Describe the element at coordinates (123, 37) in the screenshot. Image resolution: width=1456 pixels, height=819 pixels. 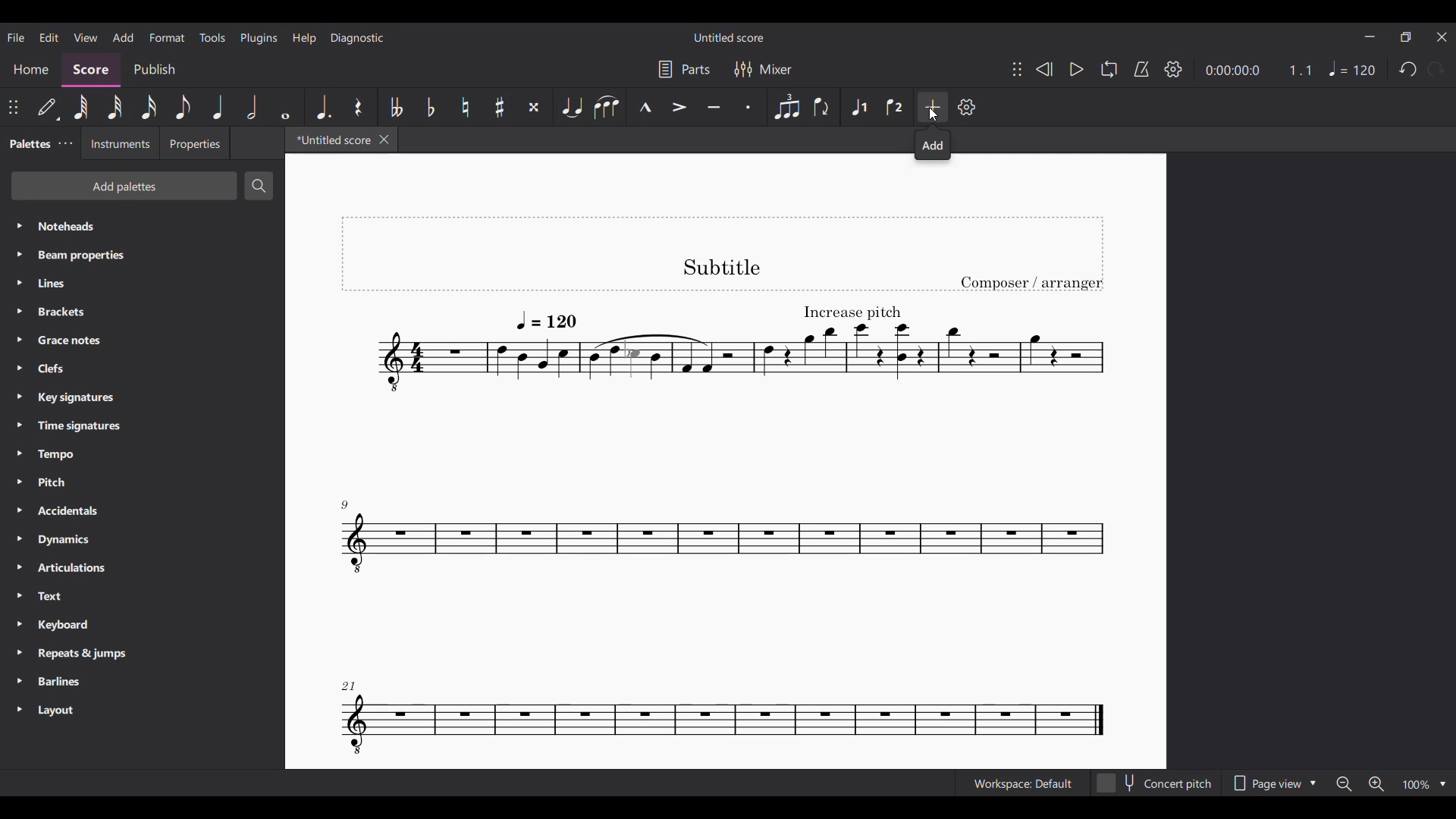
I see `Add menu` at that location.